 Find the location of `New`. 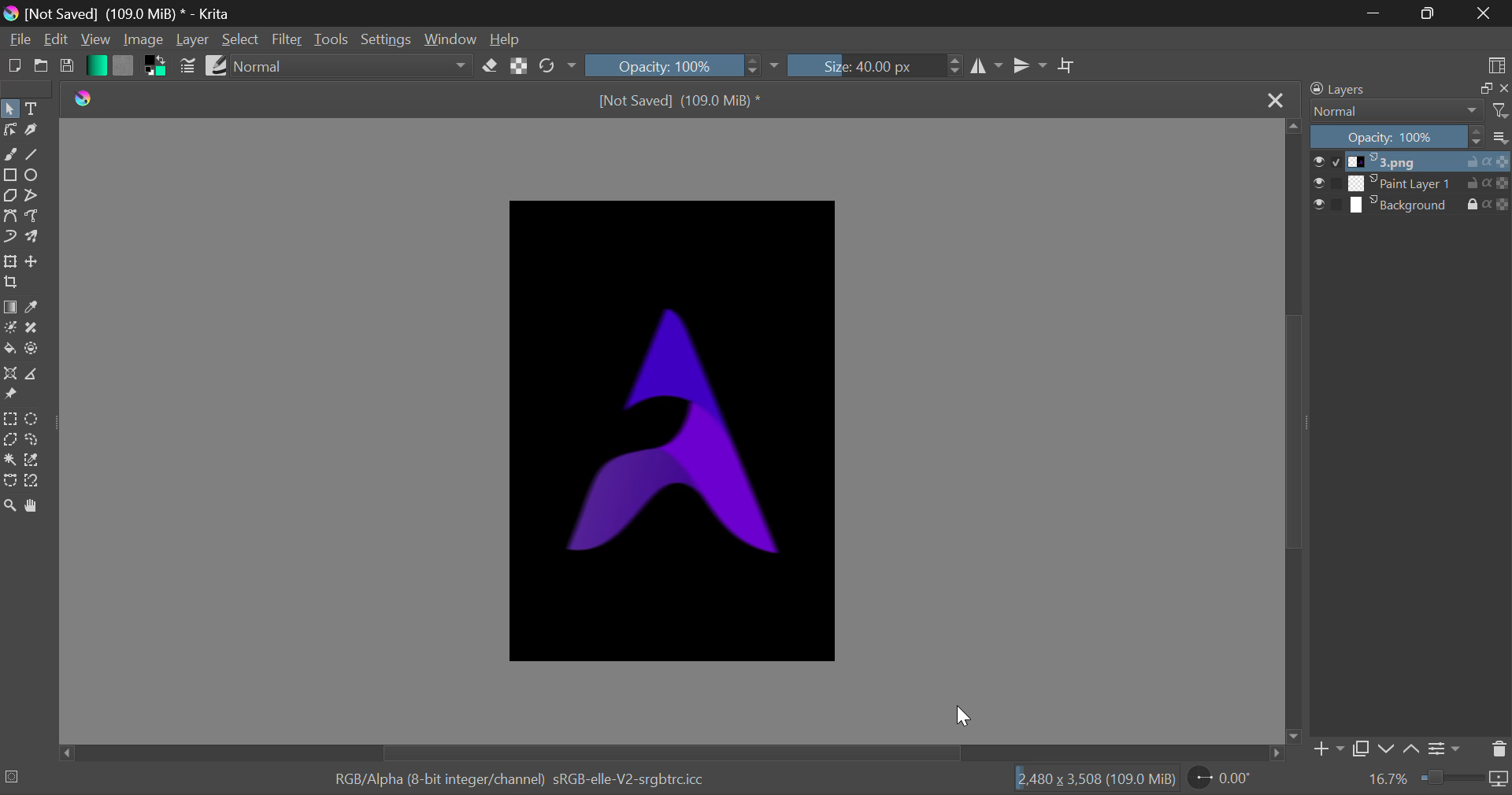

New is located at coordinates (13, 67).